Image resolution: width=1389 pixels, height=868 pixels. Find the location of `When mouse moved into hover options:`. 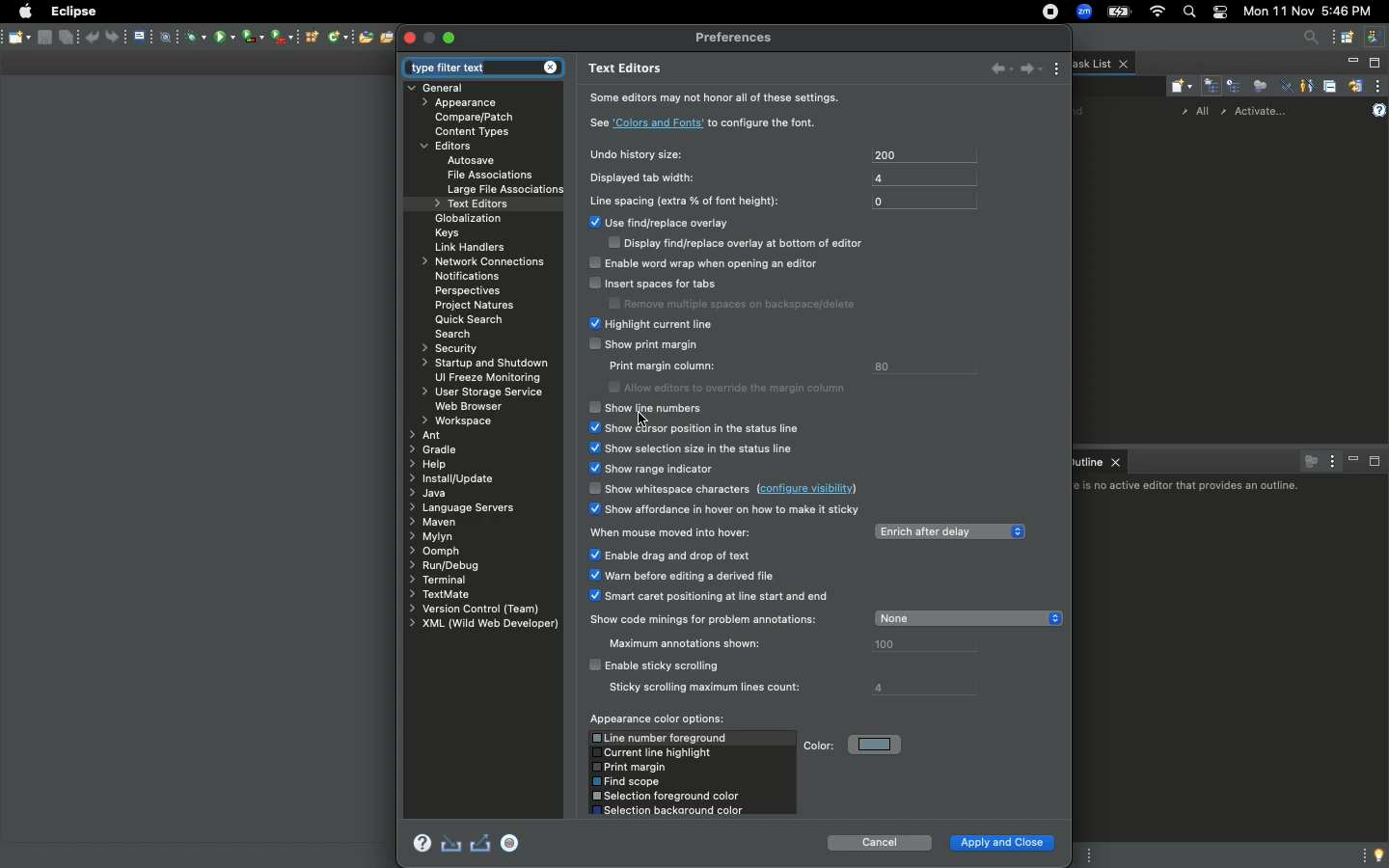

When mouse moved into hover options: is located at coordinates (711, 567).